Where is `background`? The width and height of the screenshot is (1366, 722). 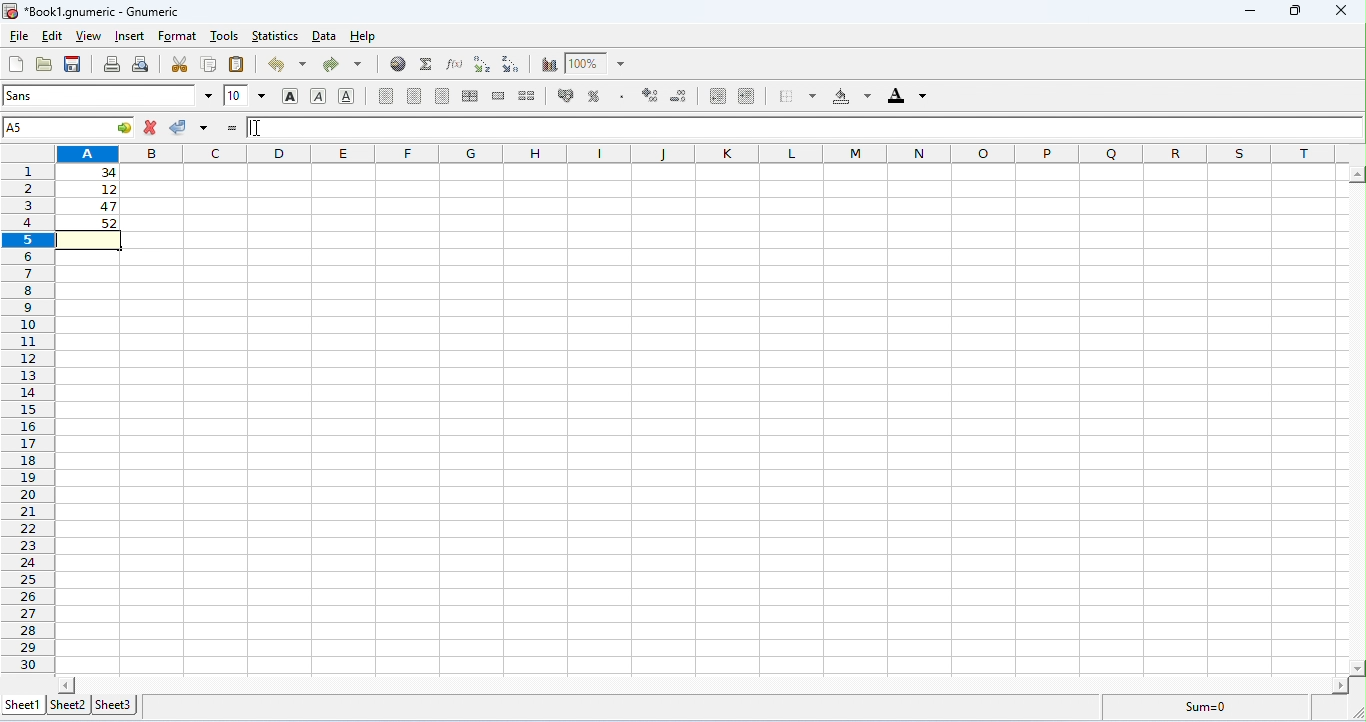 background is located at coordinates (852, 96).